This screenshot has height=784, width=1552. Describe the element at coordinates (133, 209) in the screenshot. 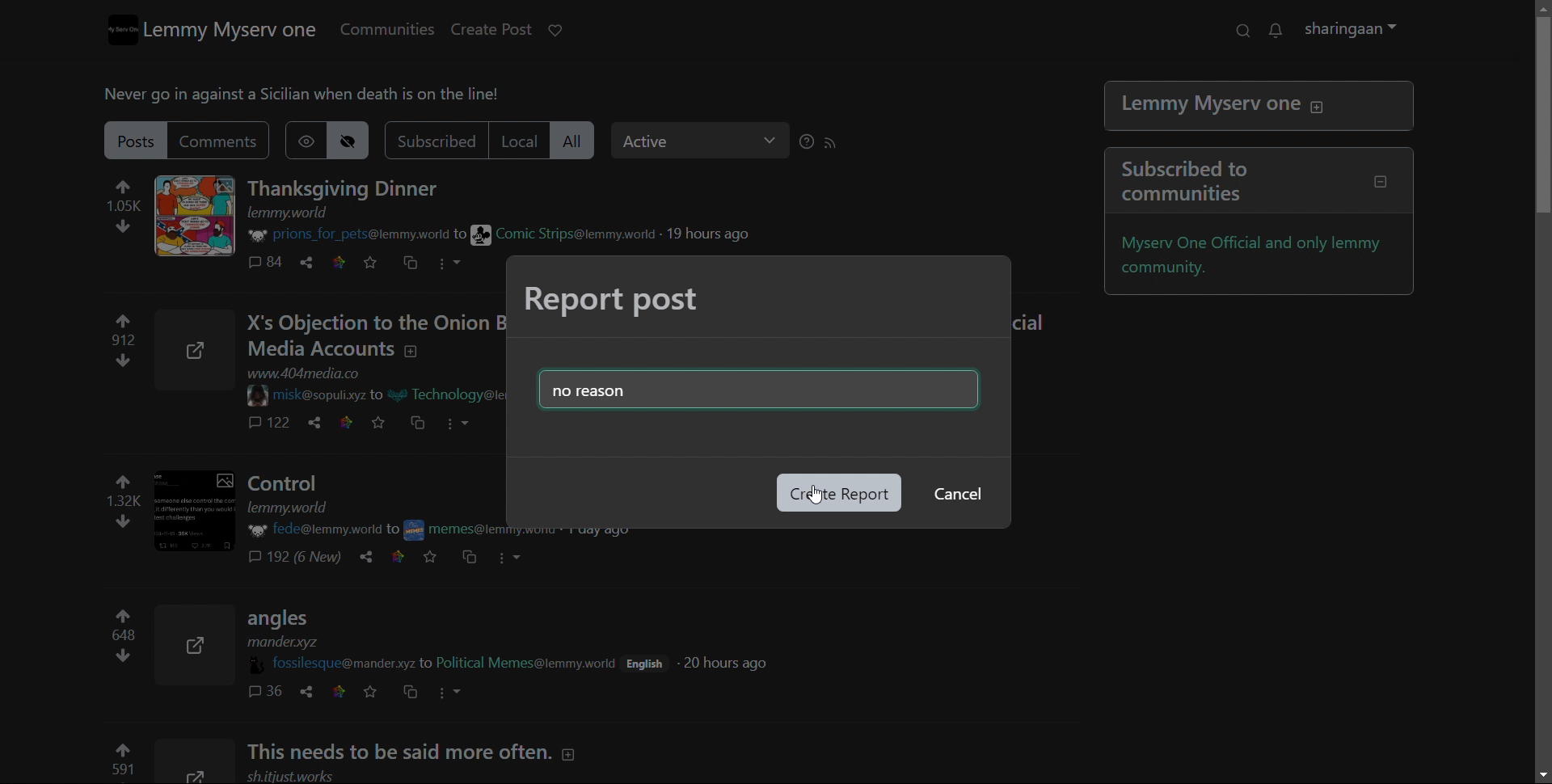

I see `upvote and downvote` at that location.